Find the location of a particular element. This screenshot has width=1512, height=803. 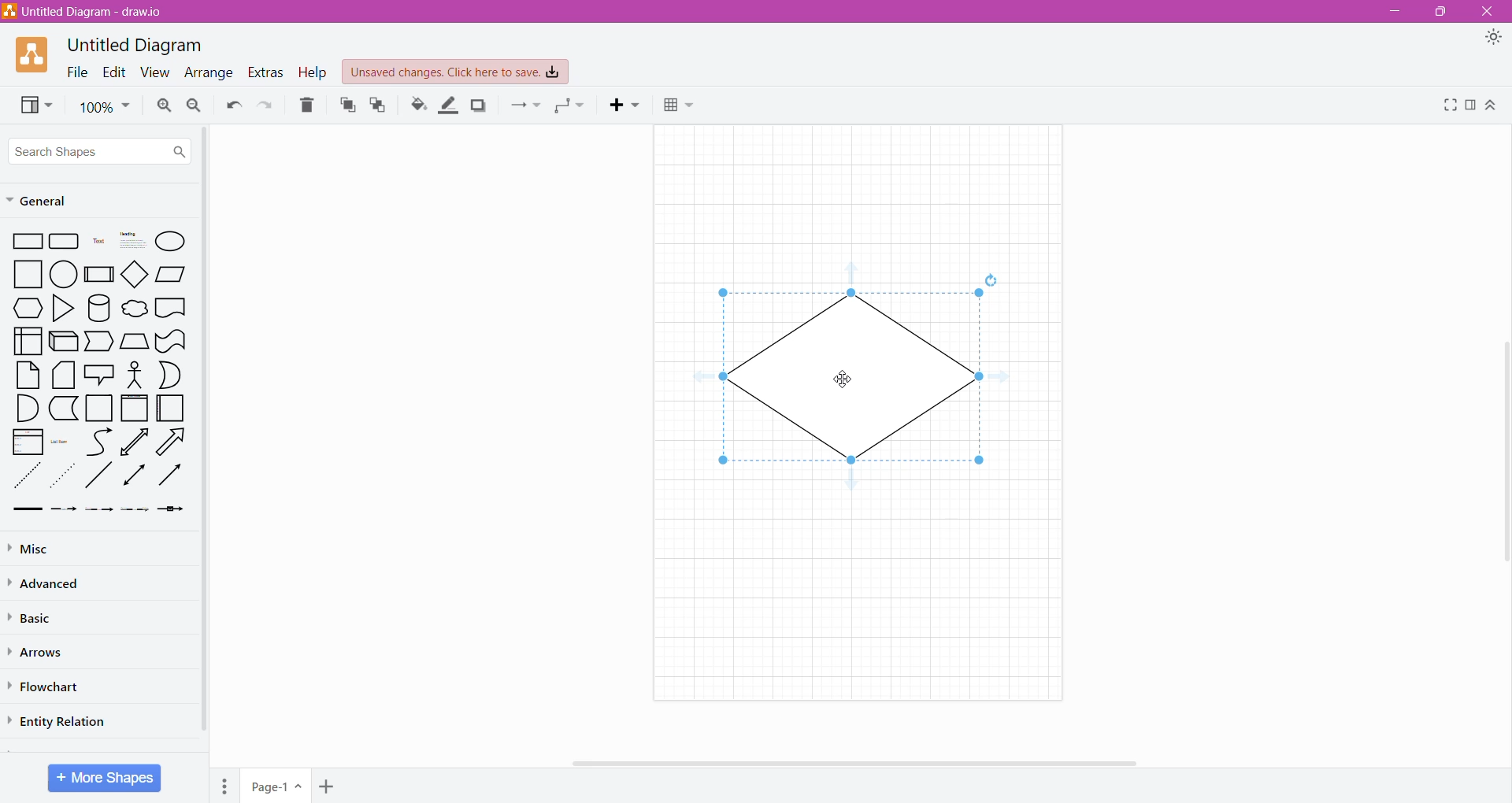

Search Shapes is located at coordinates (101, 149).